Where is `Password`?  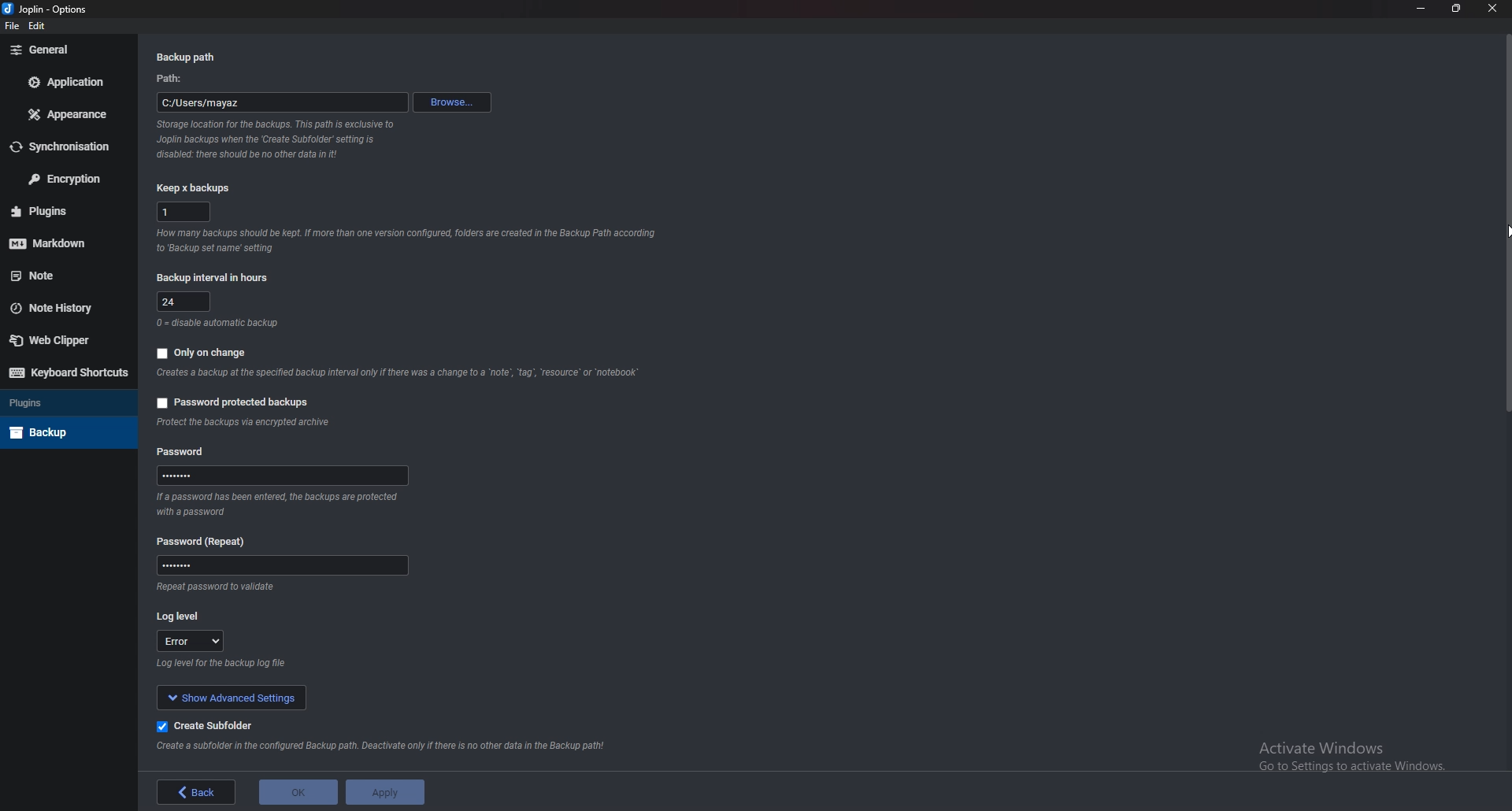 Password is located at coordinates (186, 453).